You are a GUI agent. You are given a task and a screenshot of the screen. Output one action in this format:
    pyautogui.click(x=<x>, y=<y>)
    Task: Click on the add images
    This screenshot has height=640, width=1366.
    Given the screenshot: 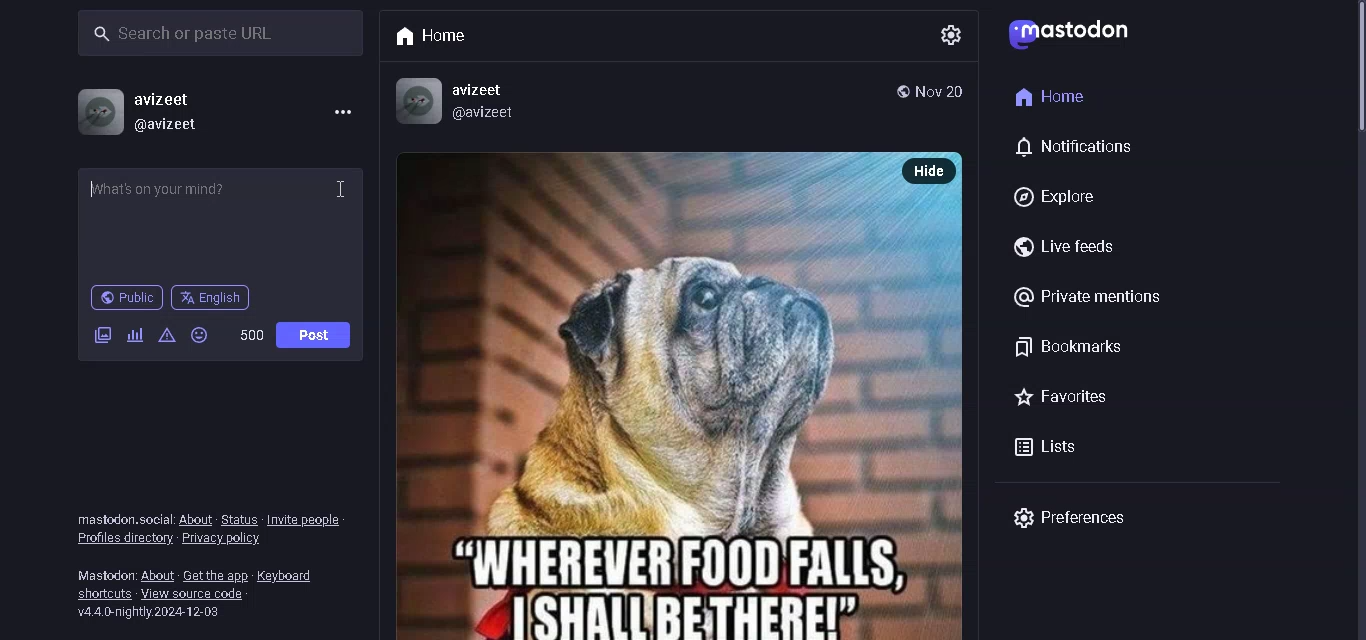 What is the action you would take?
    pyautogui.click(x=100, y=336)
    